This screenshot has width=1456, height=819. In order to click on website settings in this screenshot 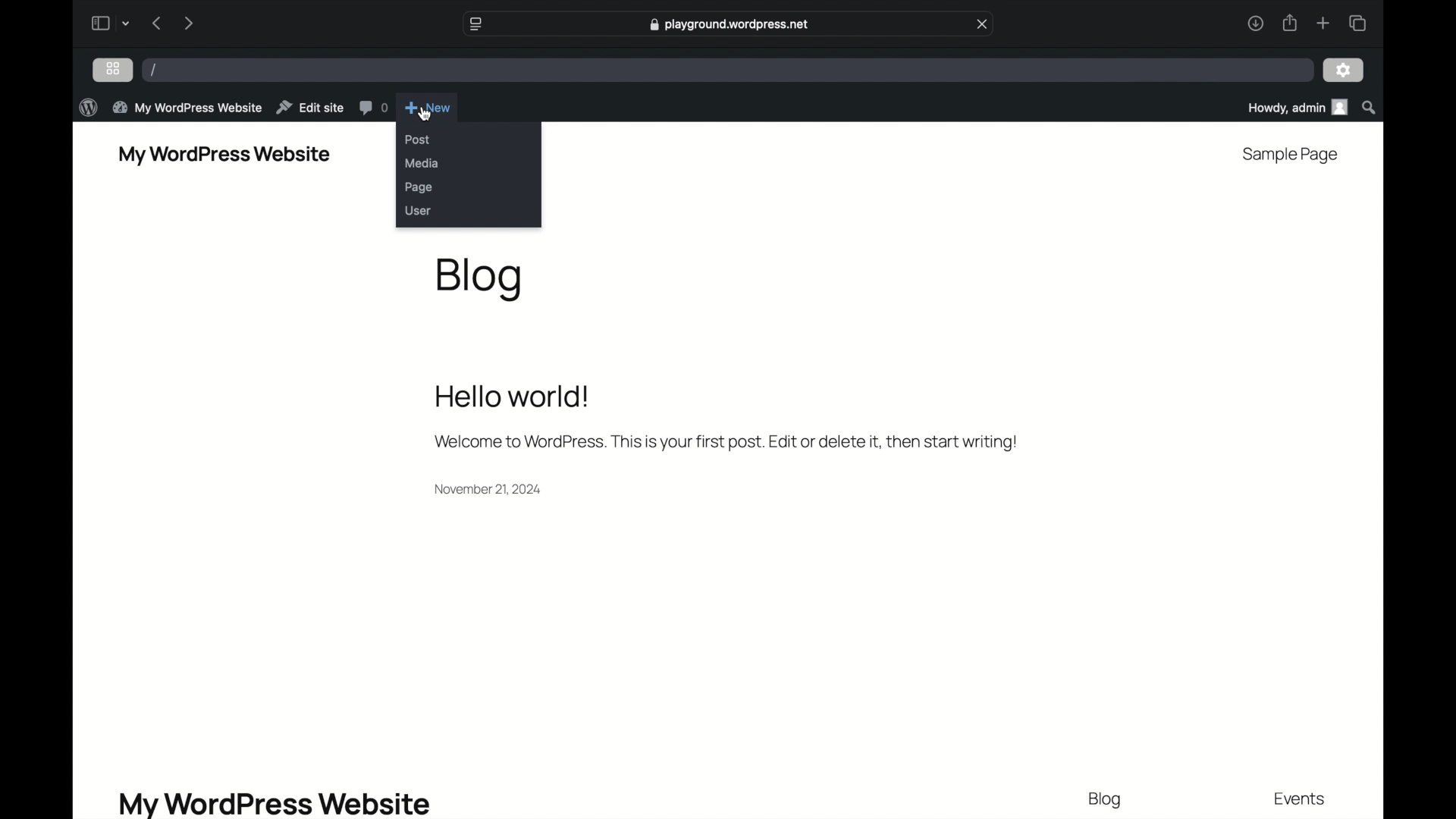, I will do `click(475, 23)`.